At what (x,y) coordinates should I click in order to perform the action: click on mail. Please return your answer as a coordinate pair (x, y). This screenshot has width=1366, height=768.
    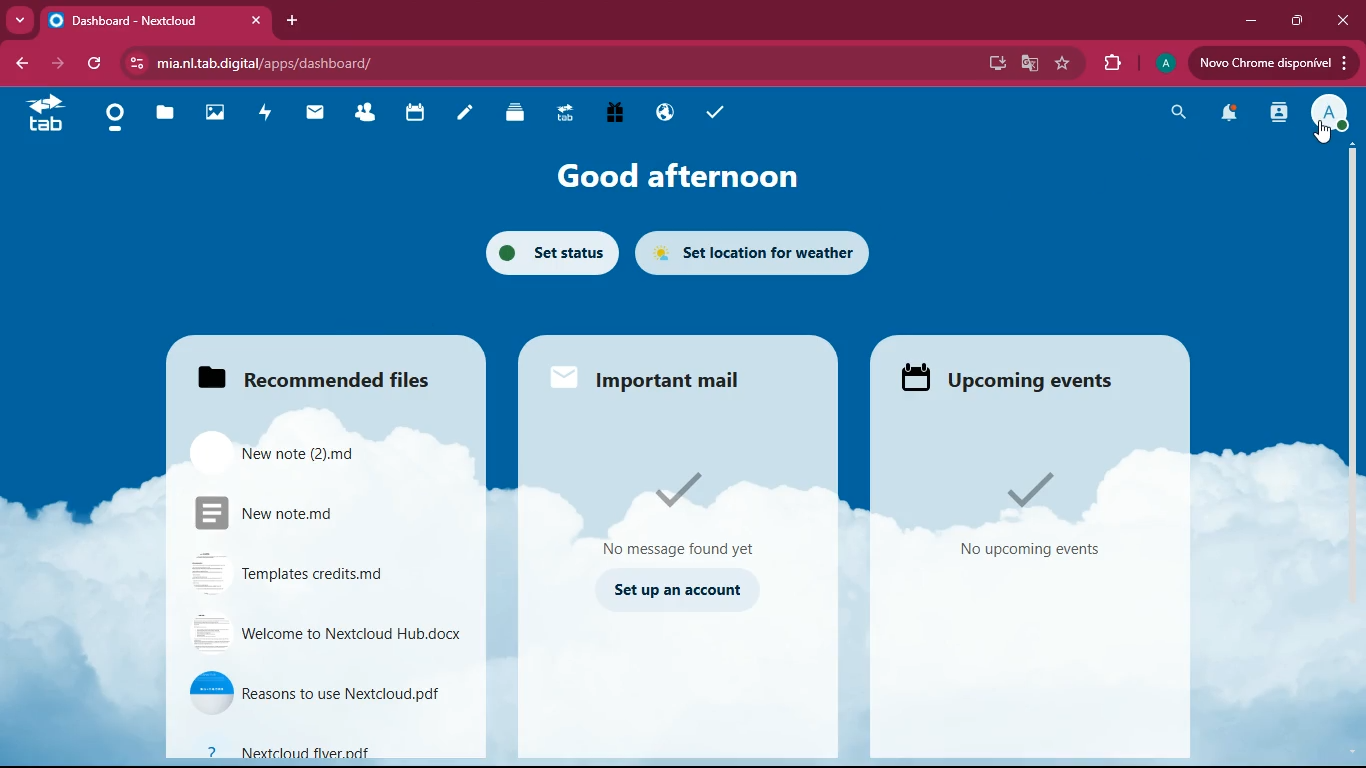
    Looking at the image, I should click on (666, 380).